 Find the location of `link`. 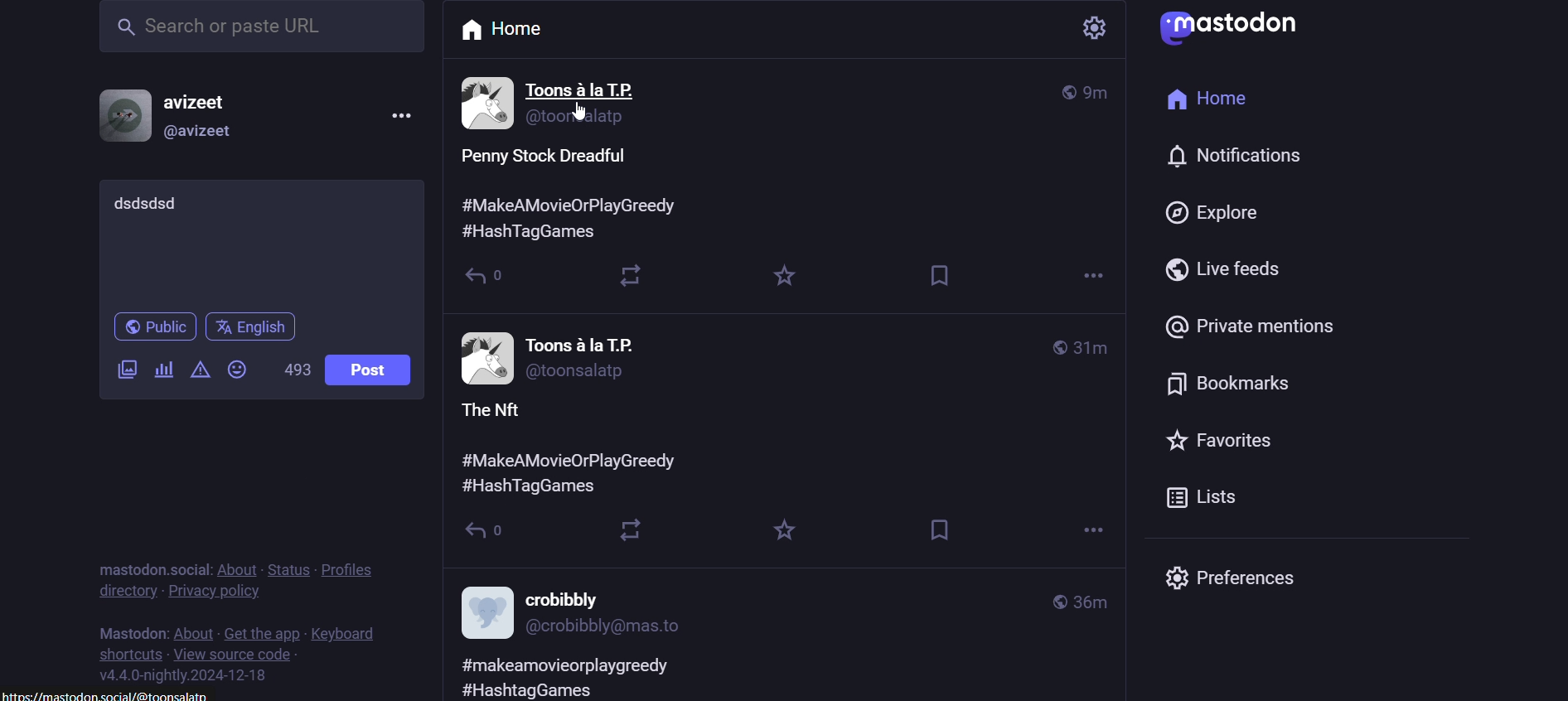

link is located at coordinates (127, 694).